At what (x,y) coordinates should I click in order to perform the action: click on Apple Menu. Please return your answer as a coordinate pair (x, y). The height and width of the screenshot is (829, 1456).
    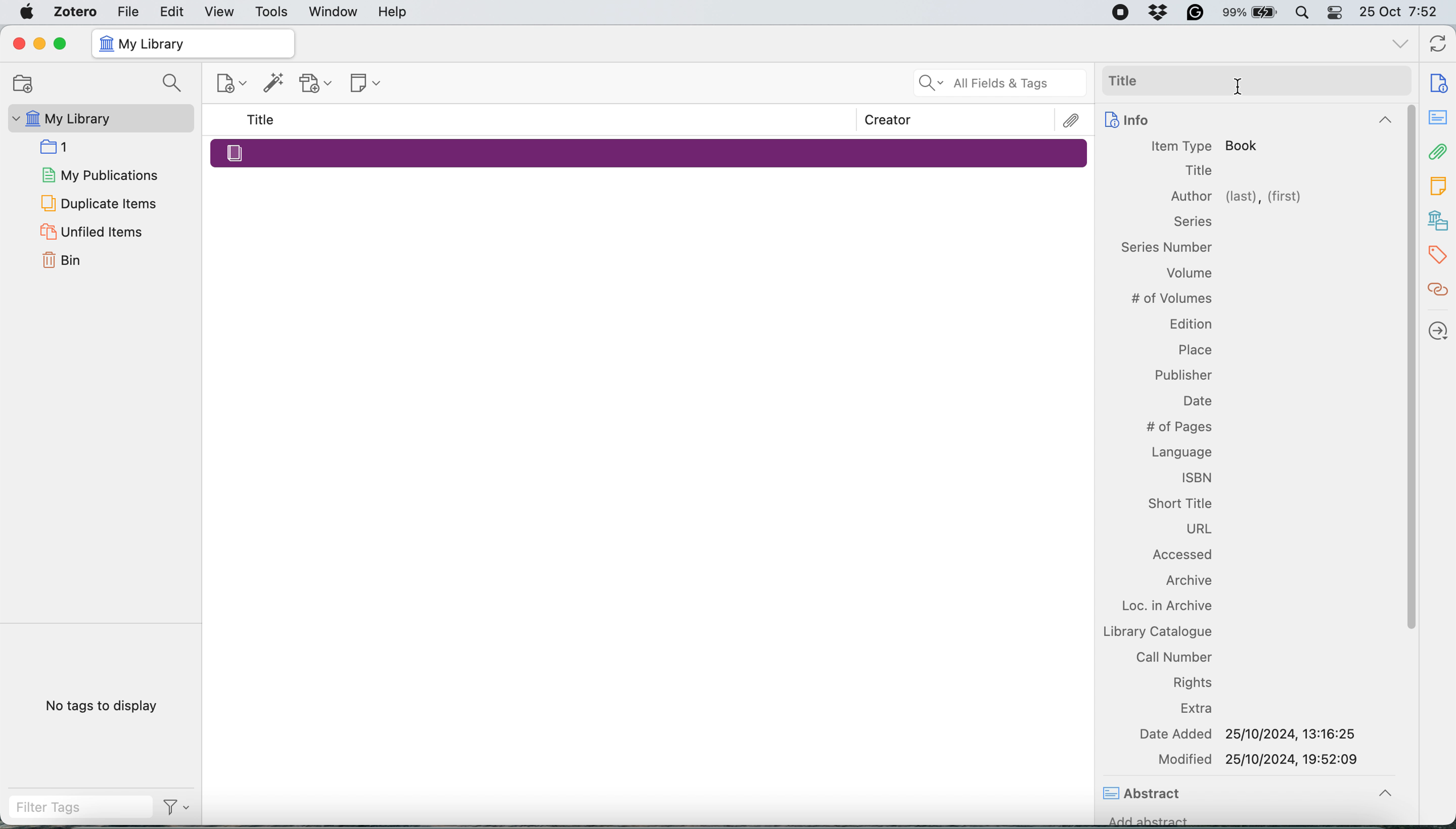
    Looking at the image, I should click on (29, 12).